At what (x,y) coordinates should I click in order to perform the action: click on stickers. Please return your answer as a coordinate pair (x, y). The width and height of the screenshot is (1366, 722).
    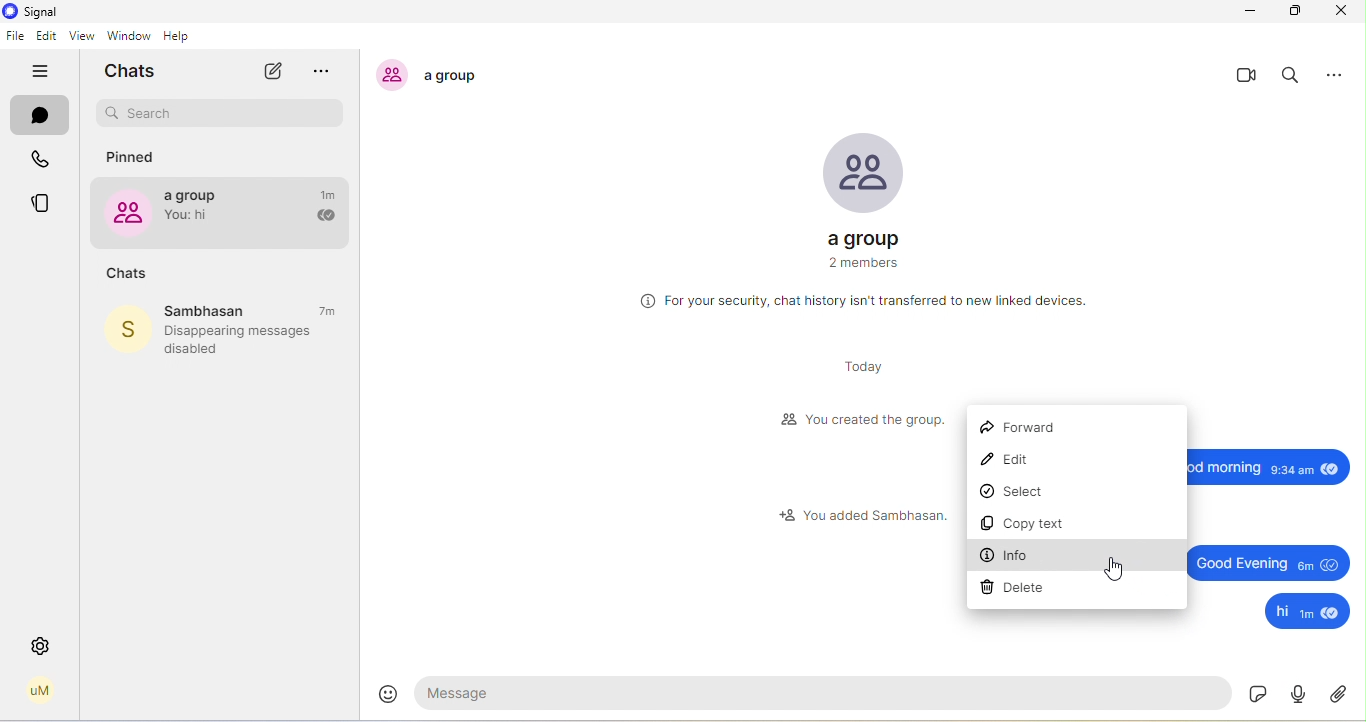
    Looking at the image, I should click on (1258, 692).